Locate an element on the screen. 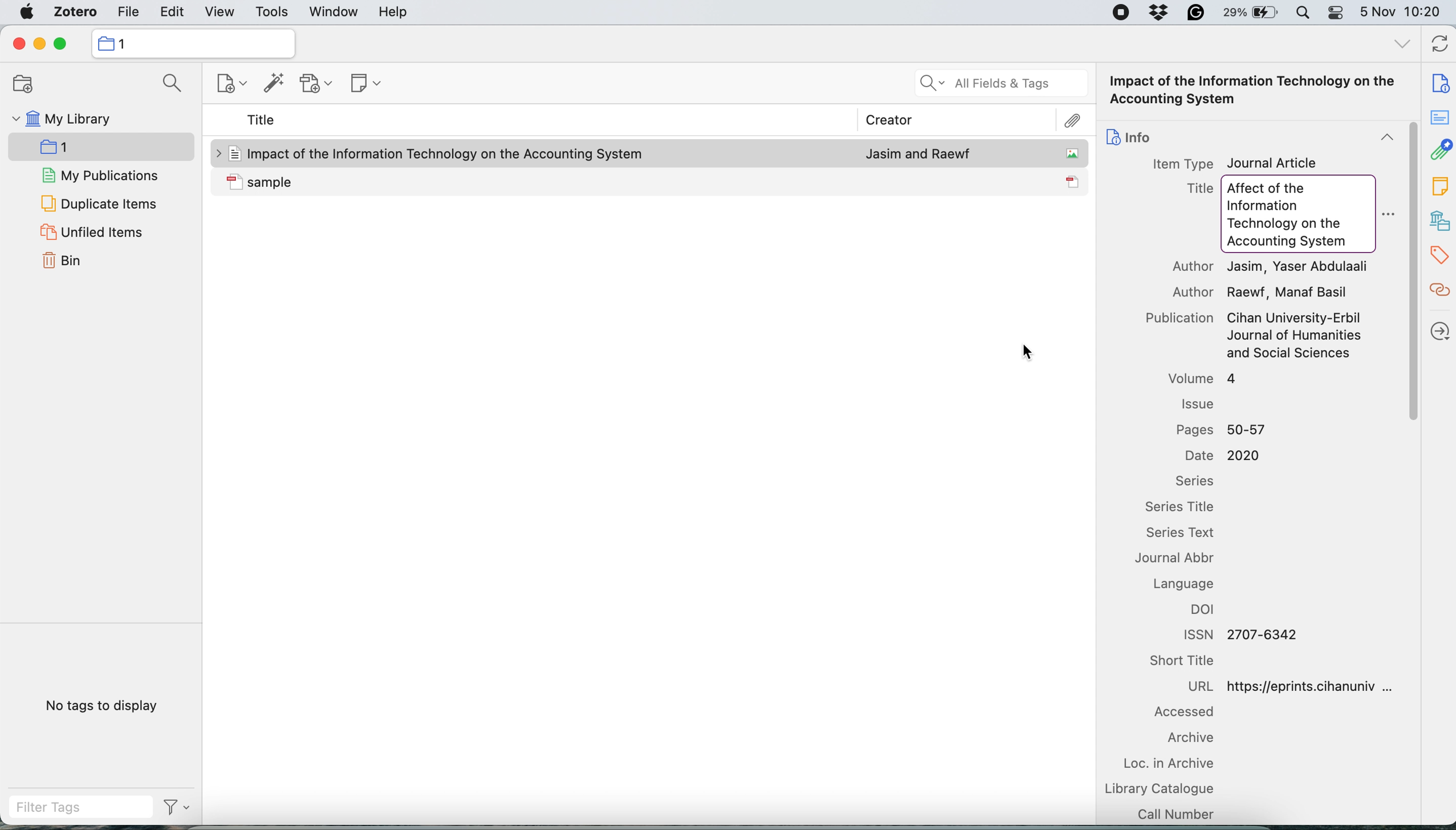  Impact of the Information Technology on the Accounting System is located at coordinates (448, 154).